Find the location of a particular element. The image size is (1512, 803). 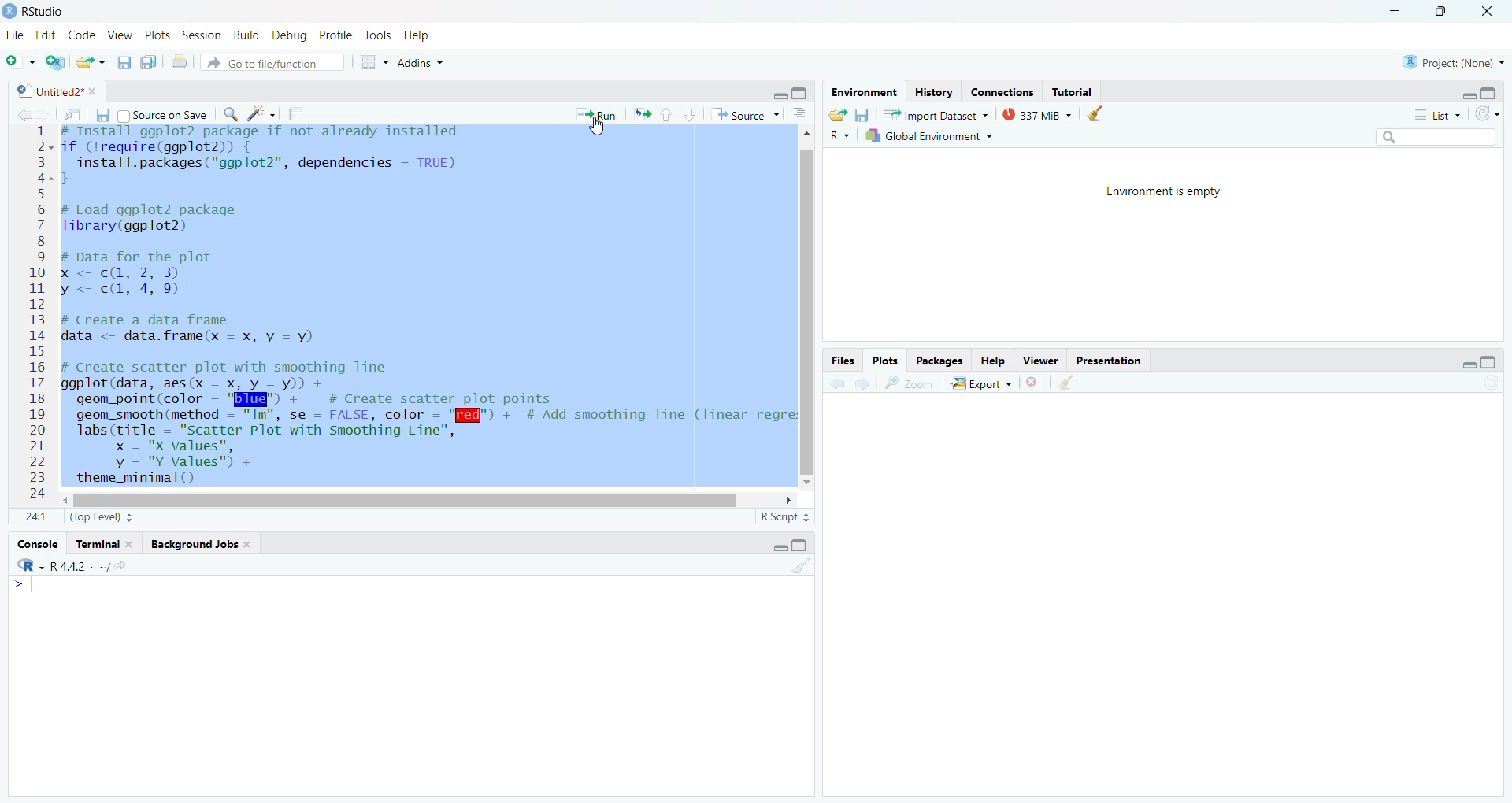

12345678910112131415161718192021222324 is located at coordinates (34, 314).